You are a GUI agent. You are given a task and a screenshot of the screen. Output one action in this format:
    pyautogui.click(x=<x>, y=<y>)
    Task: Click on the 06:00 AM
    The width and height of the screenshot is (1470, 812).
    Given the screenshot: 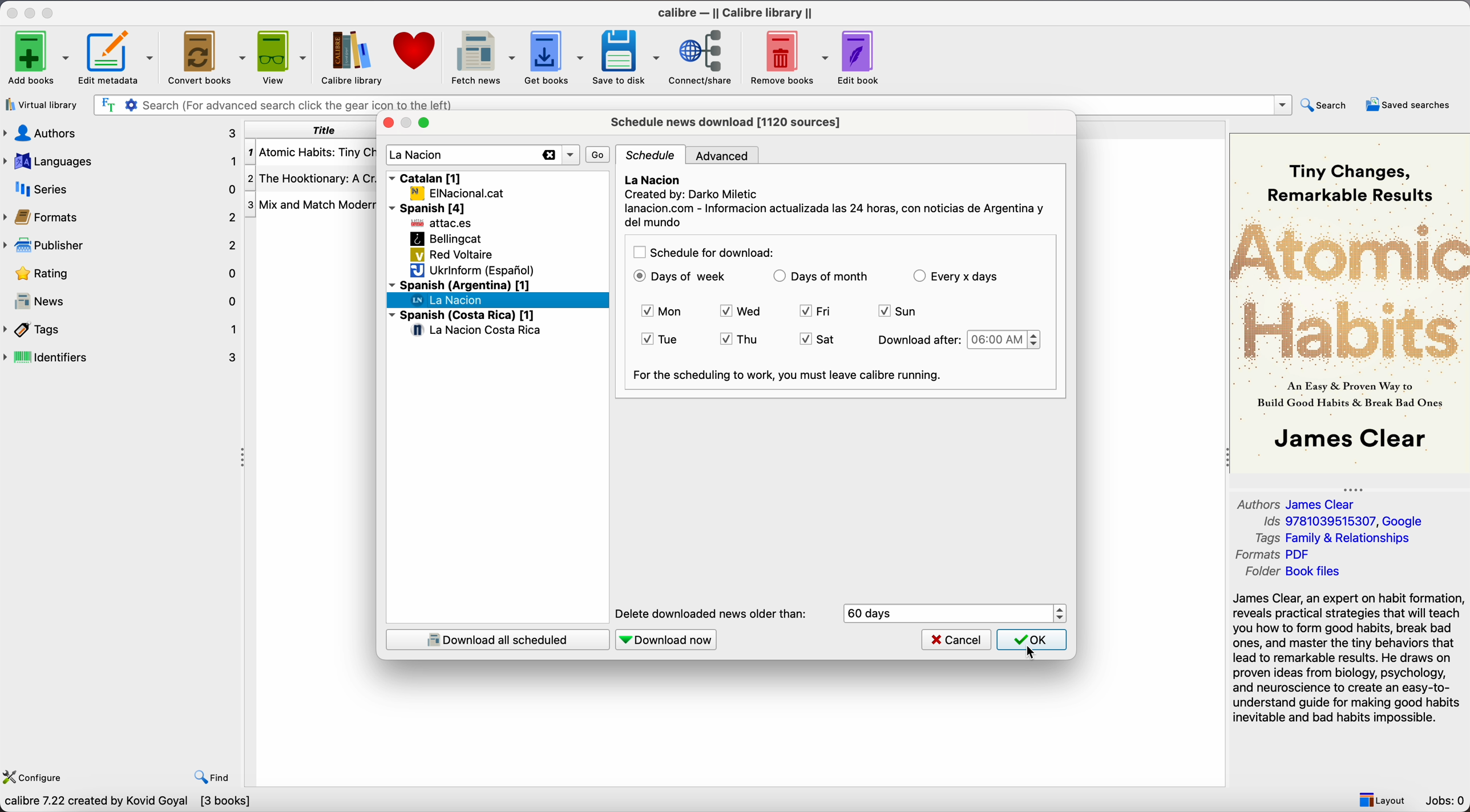 What is the action you would take?
    pyautogui.click(x=1004, y=340)
    